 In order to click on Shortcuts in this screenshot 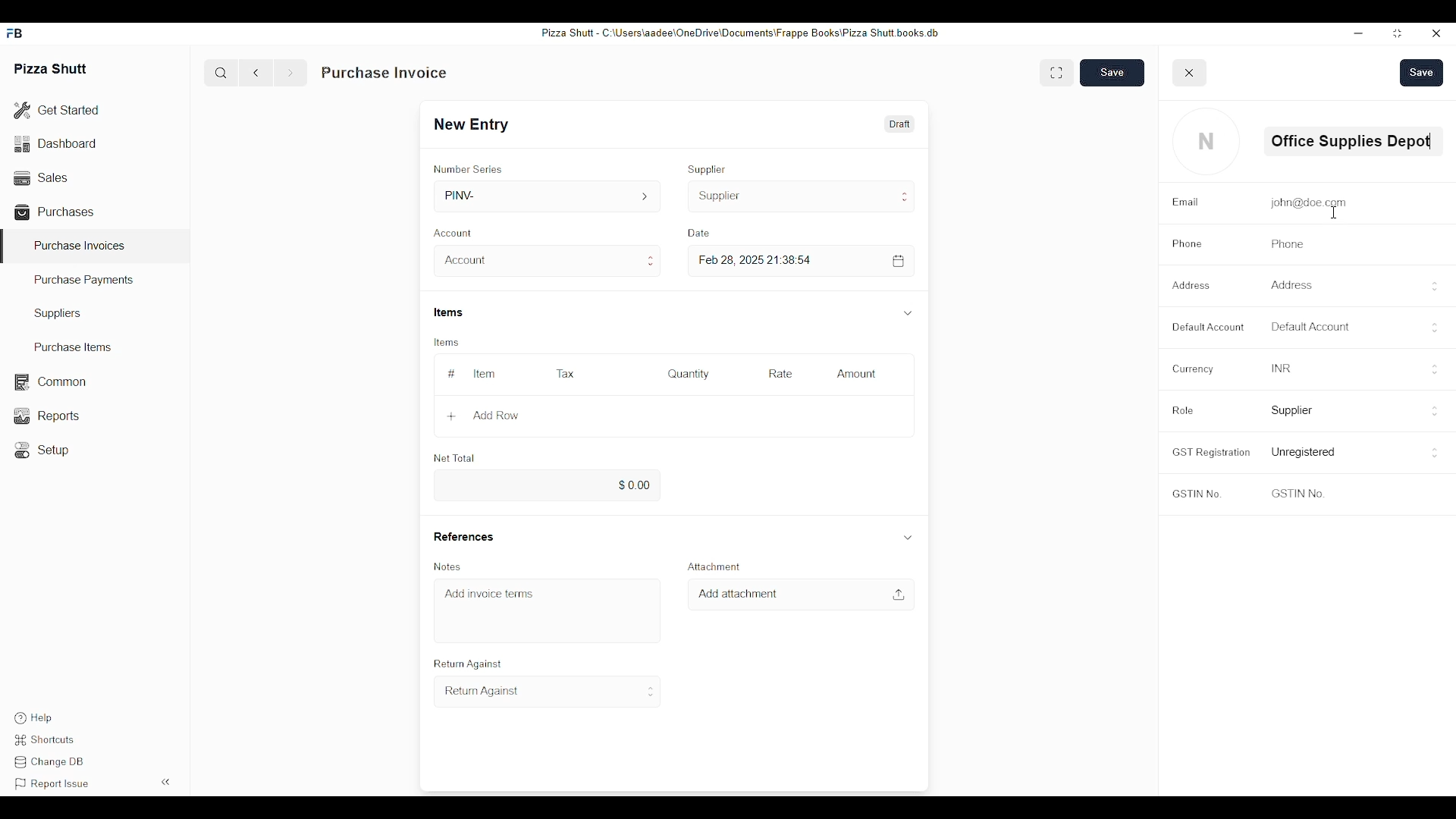, I will do `click(48, 740)`.